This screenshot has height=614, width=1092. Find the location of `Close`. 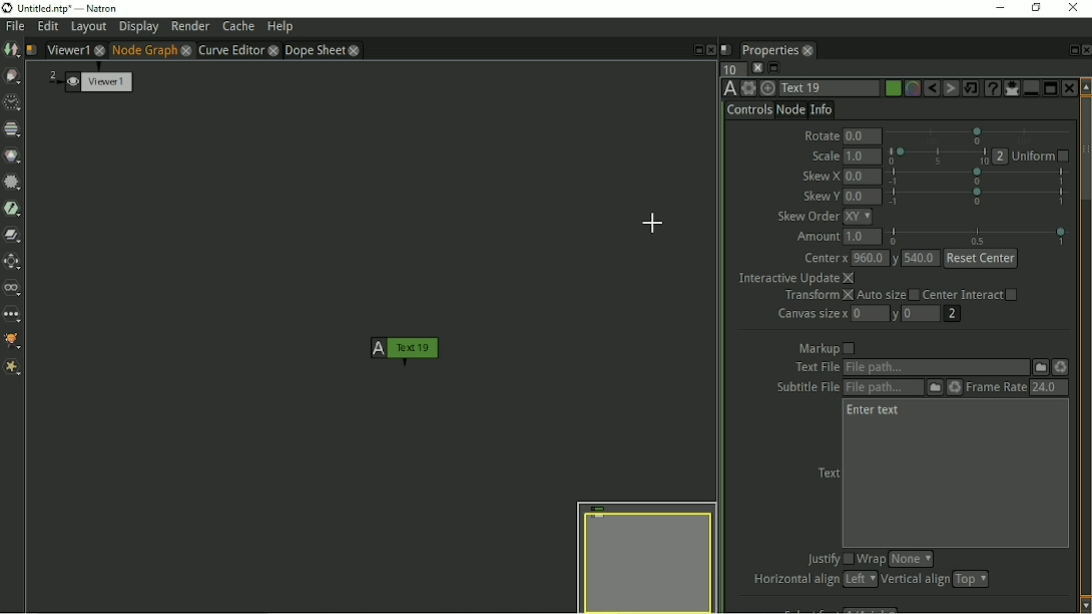

Close is located at coordinates (1069, 88).